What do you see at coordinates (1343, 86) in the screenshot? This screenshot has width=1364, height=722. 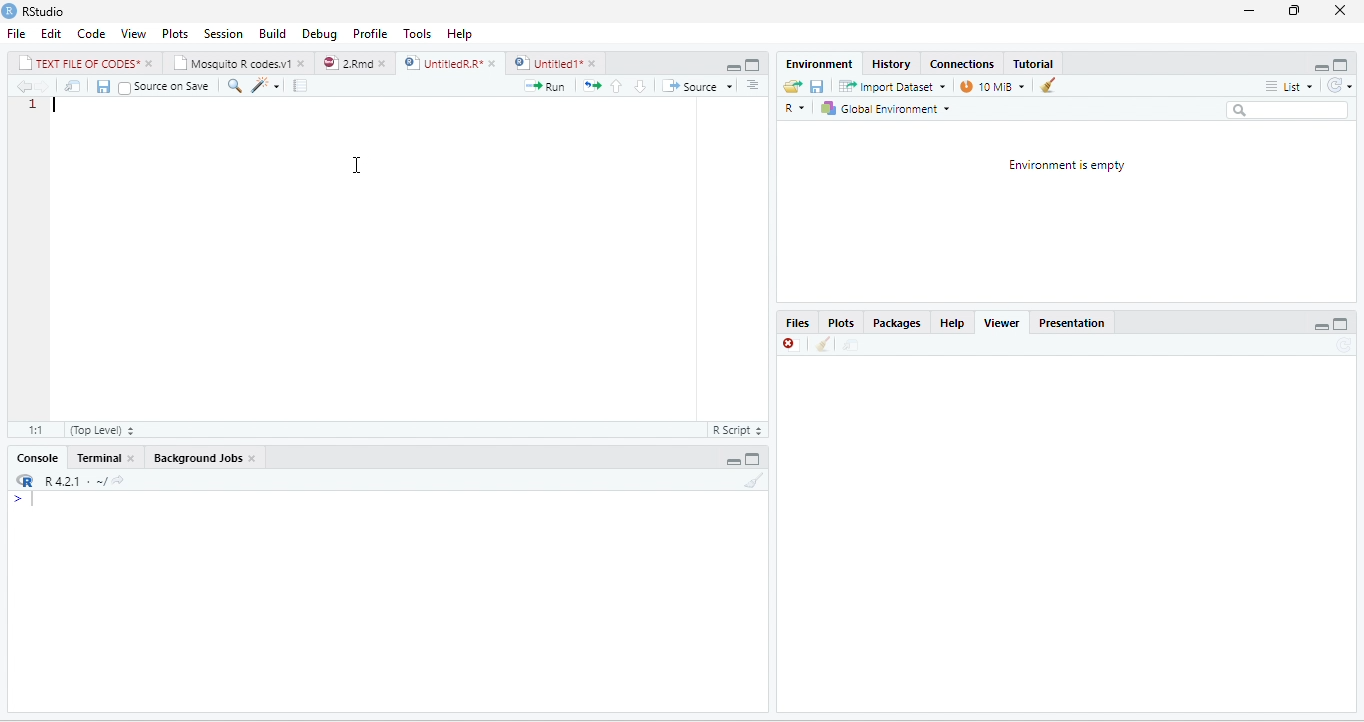 I see `refresh` at bounding box center [1343, 86].